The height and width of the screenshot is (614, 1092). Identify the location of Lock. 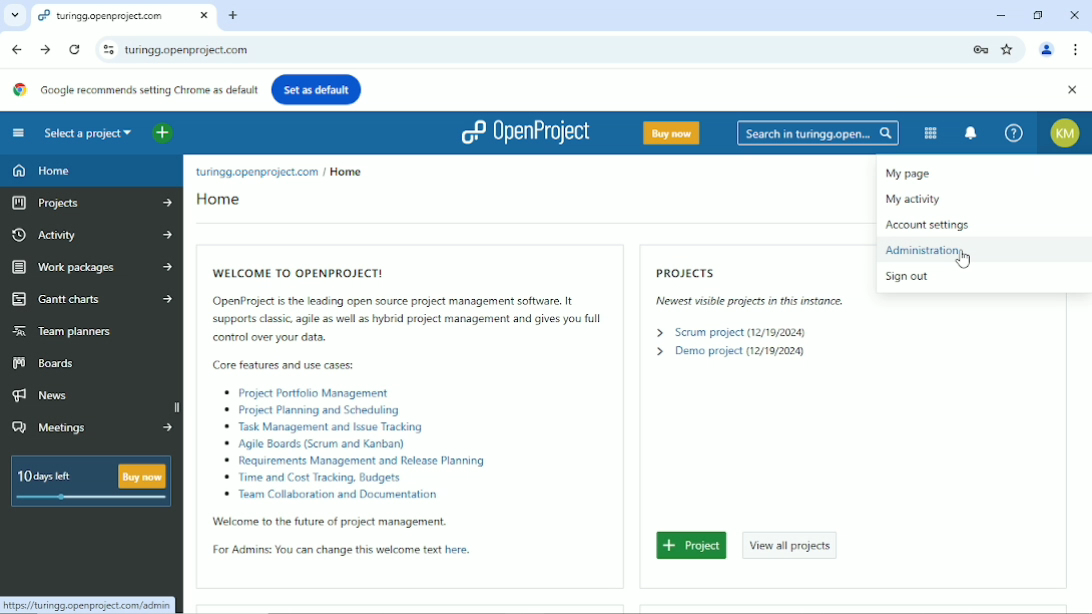
(980, 48).